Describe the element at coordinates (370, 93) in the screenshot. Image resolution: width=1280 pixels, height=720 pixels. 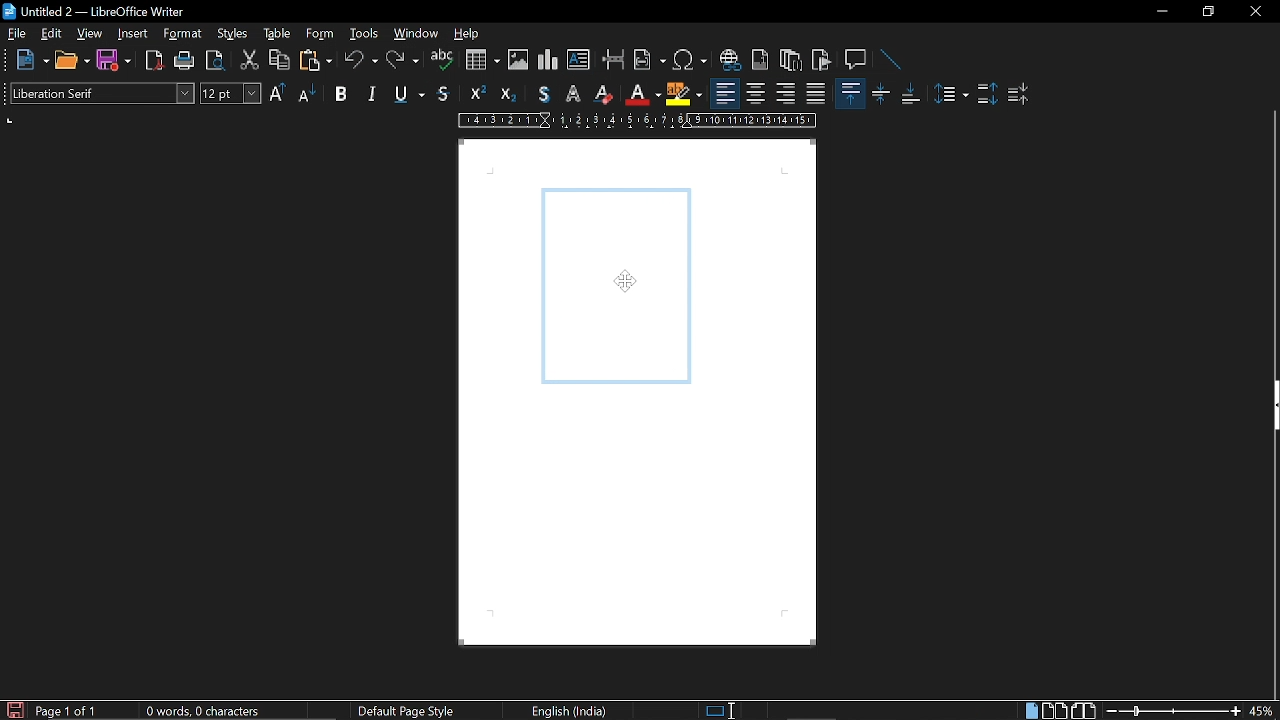
I see `italic` at that location.